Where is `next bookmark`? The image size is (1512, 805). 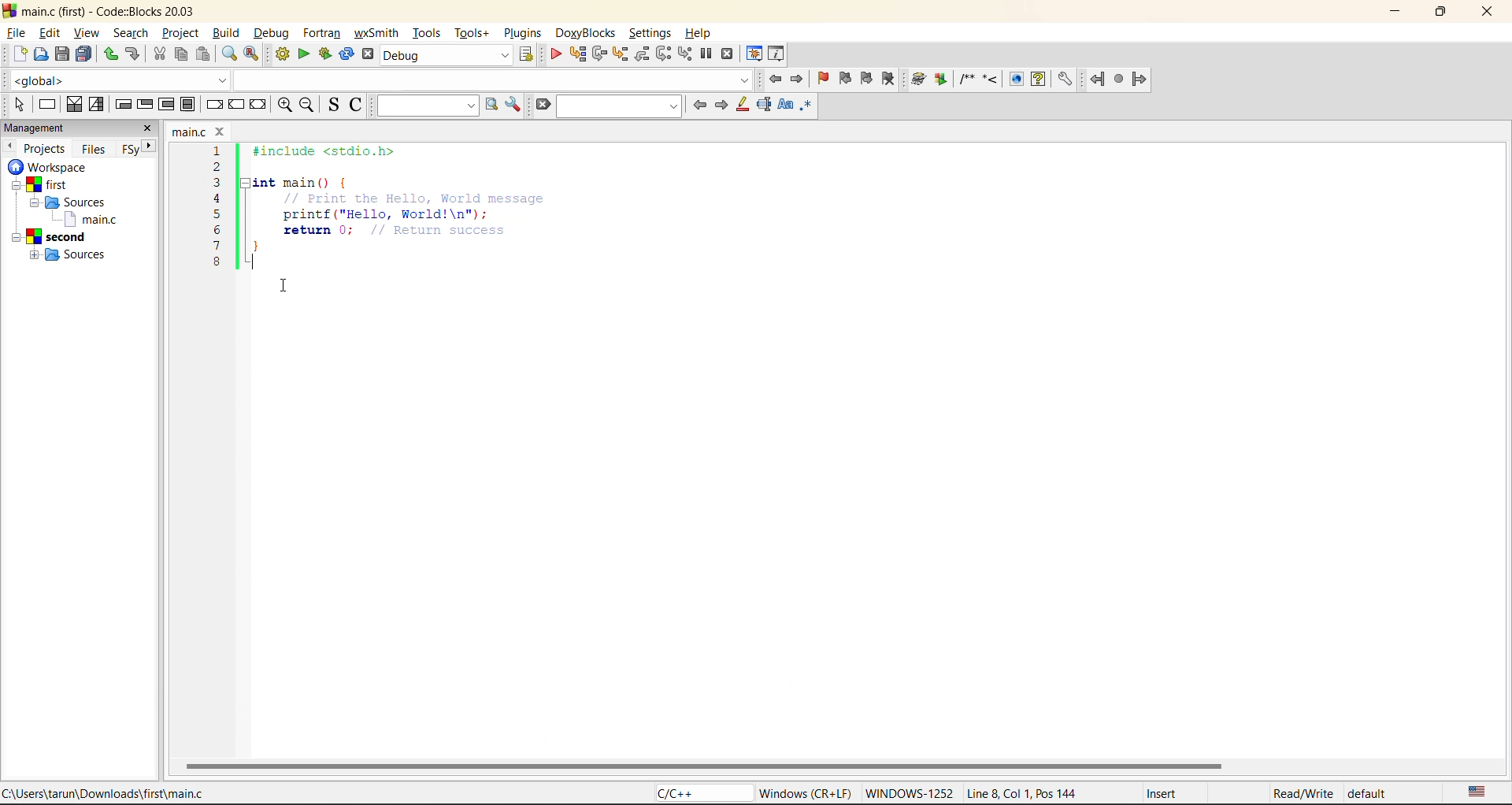 next bookmark is located at coordinates (869, 76).